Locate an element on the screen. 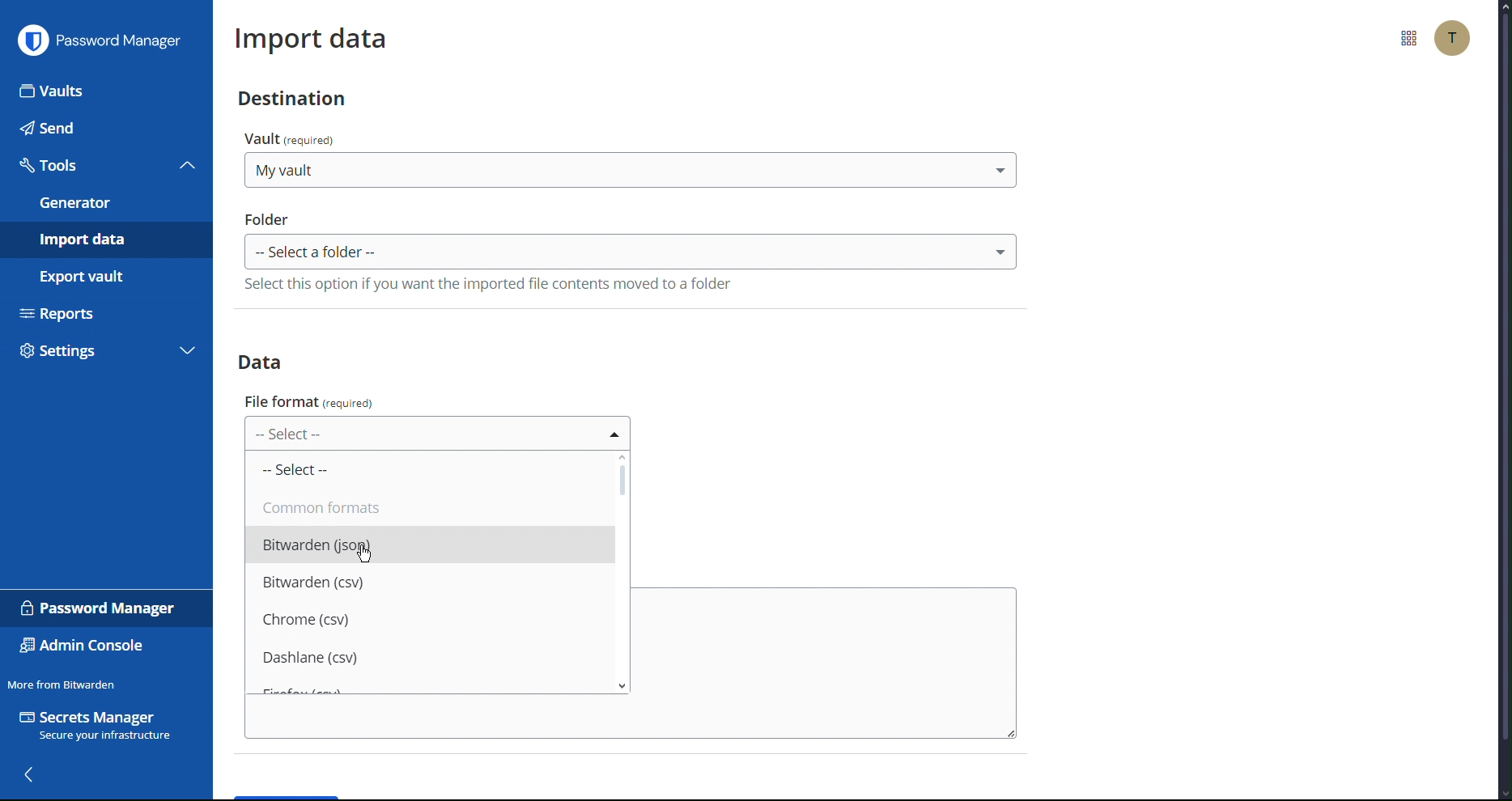  scroll up is located at coordinates (625, 458).